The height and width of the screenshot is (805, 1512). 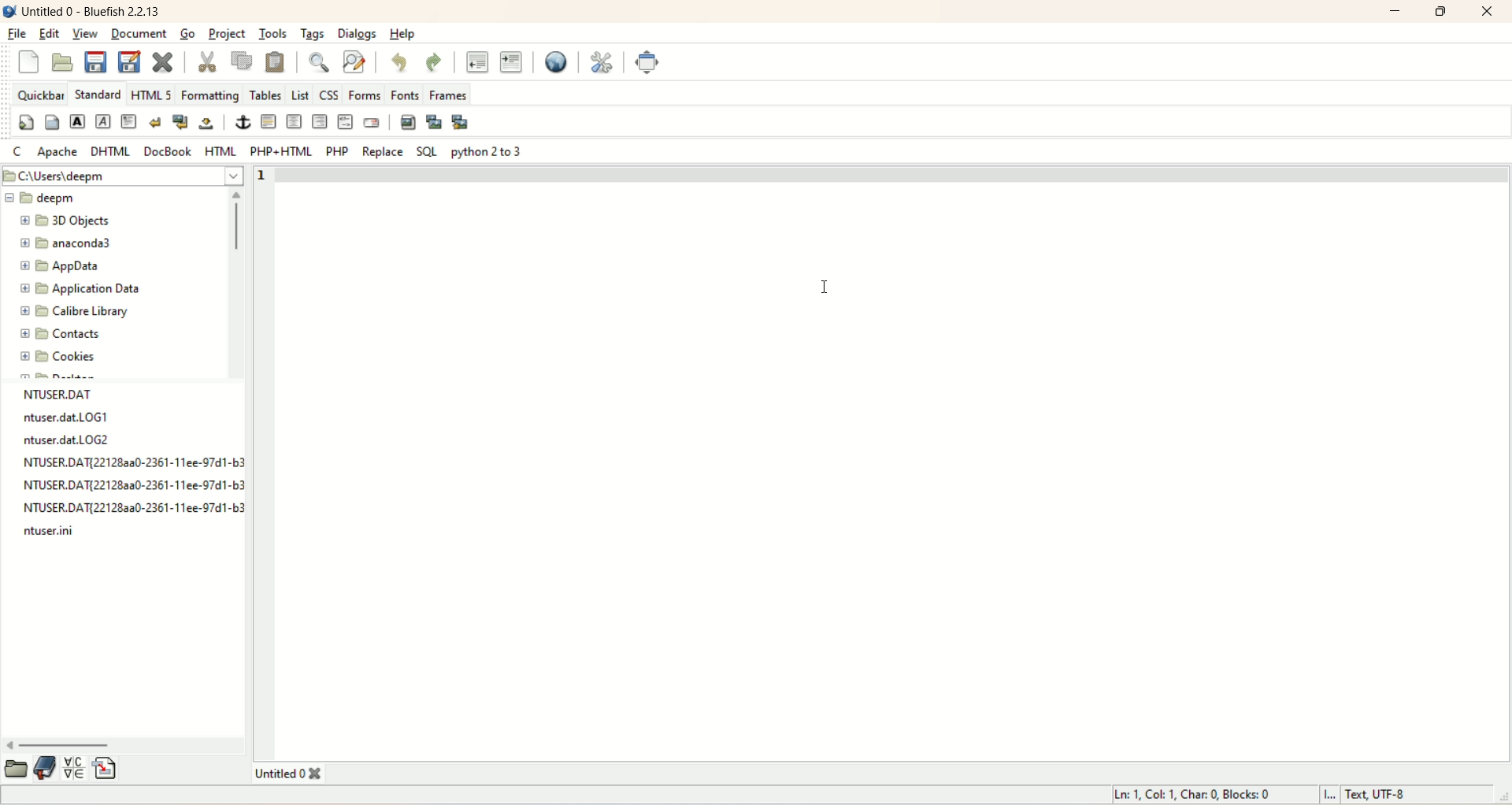 I want to click on dialogs, so click(x=355, y=34).